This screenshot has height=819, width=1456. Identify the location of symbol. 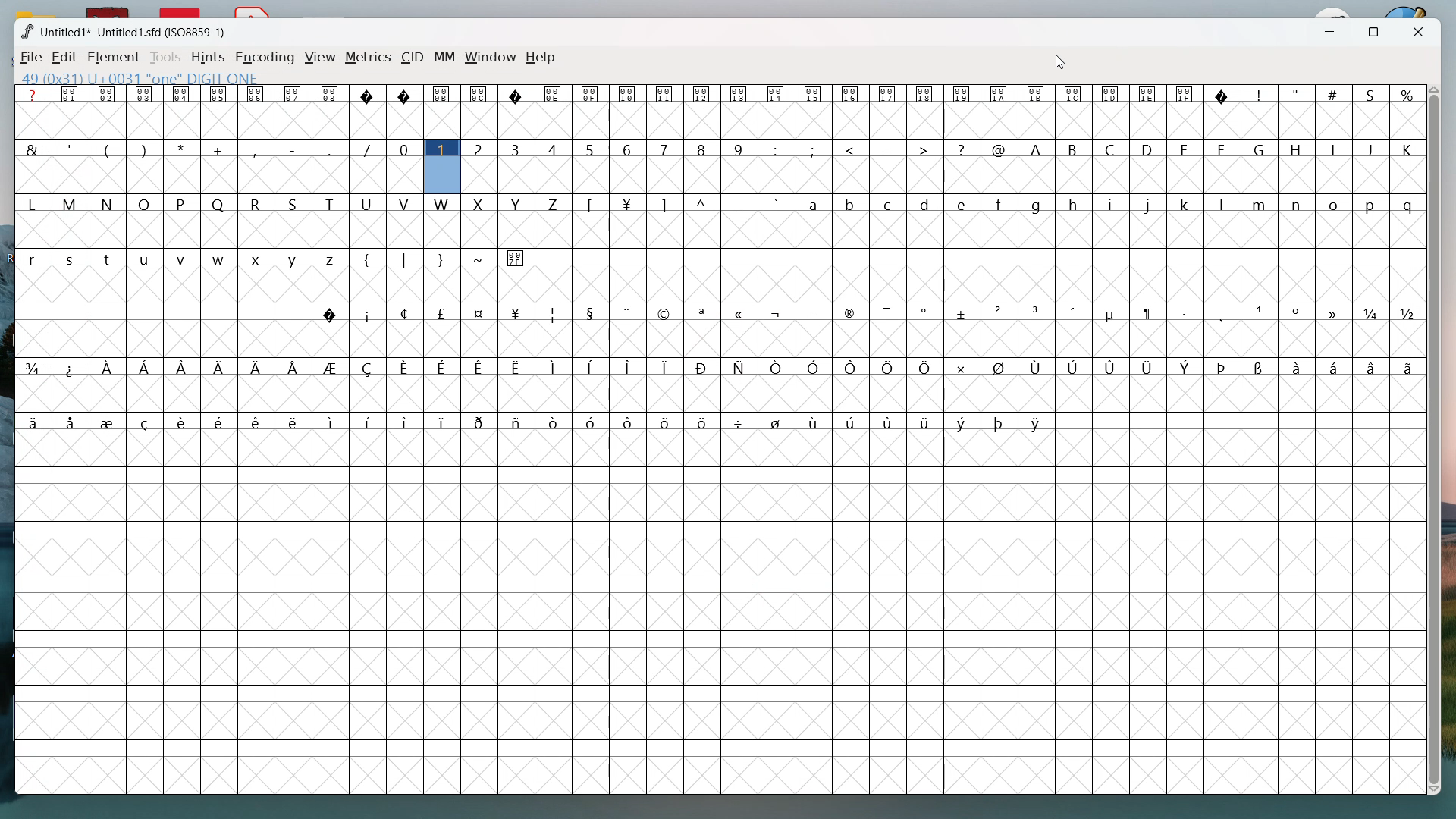
(1000, 312).